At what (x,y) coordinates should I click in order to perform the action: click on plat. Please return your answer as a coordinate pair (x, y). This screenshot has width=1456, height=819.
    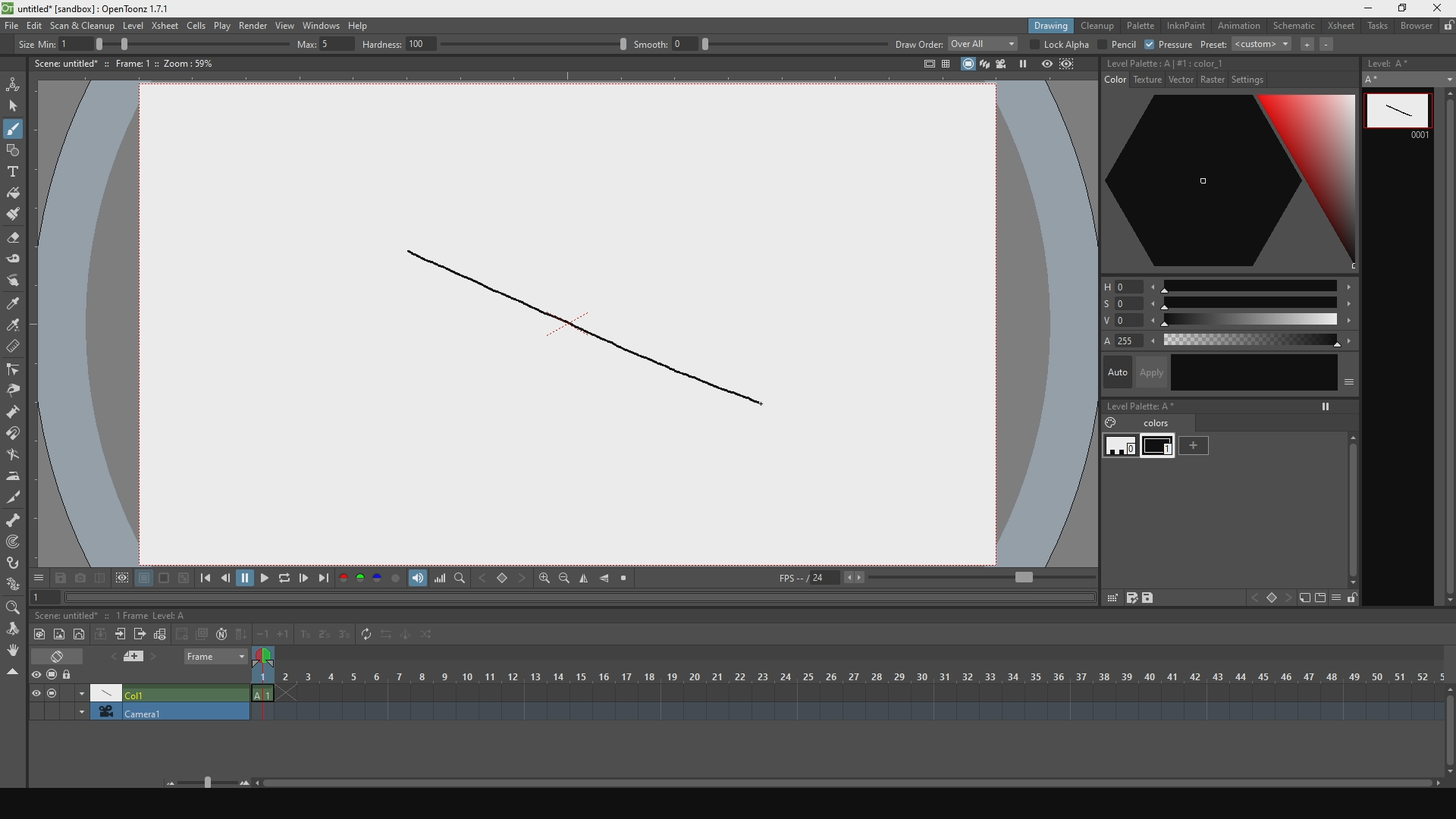
    Looking at the image, I should click on (221, 25).